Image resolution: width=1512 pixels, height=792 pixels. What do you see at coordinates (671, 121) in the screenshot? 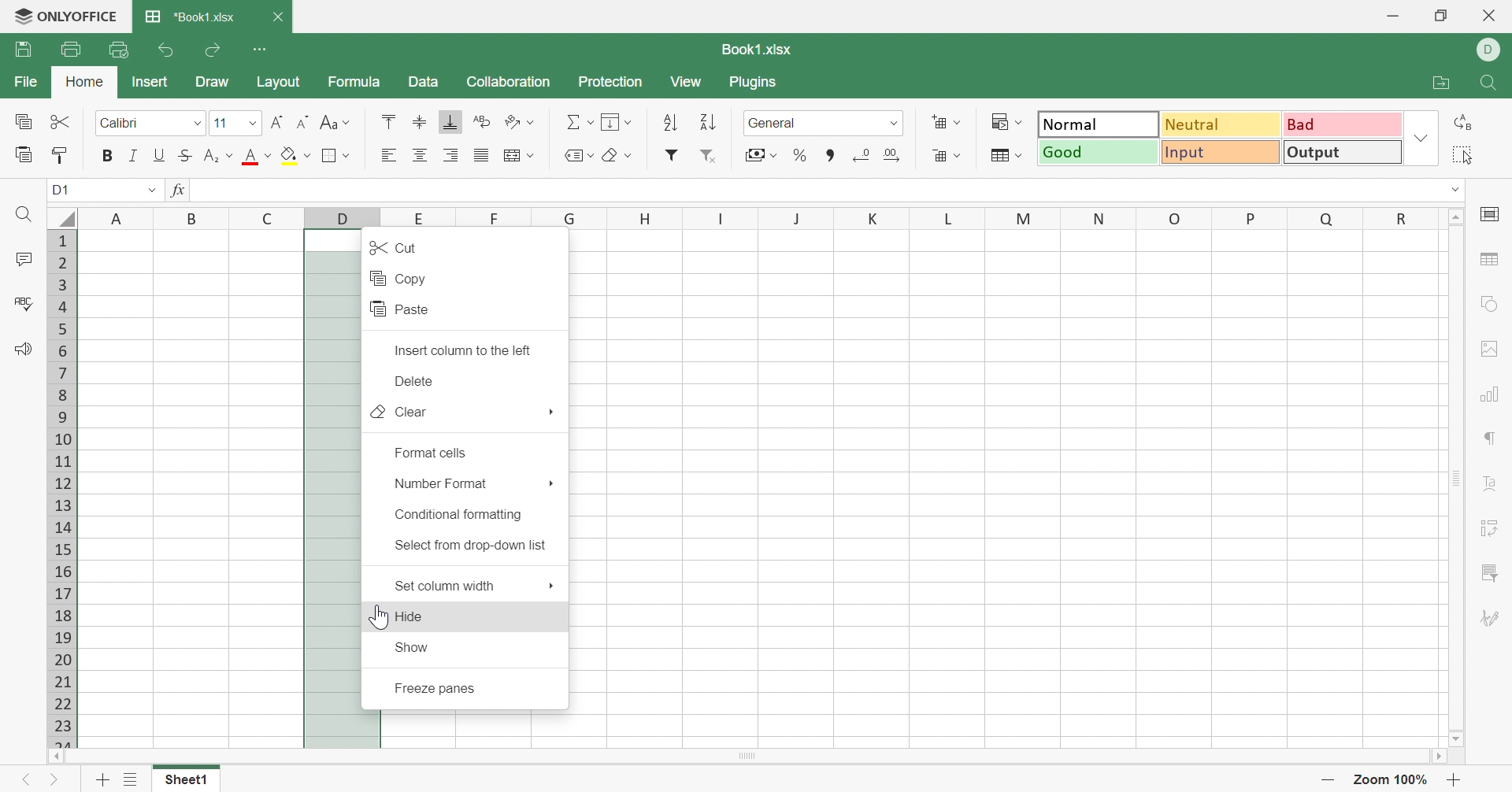
I see `Ascending order` at bounding box center [671, 121].